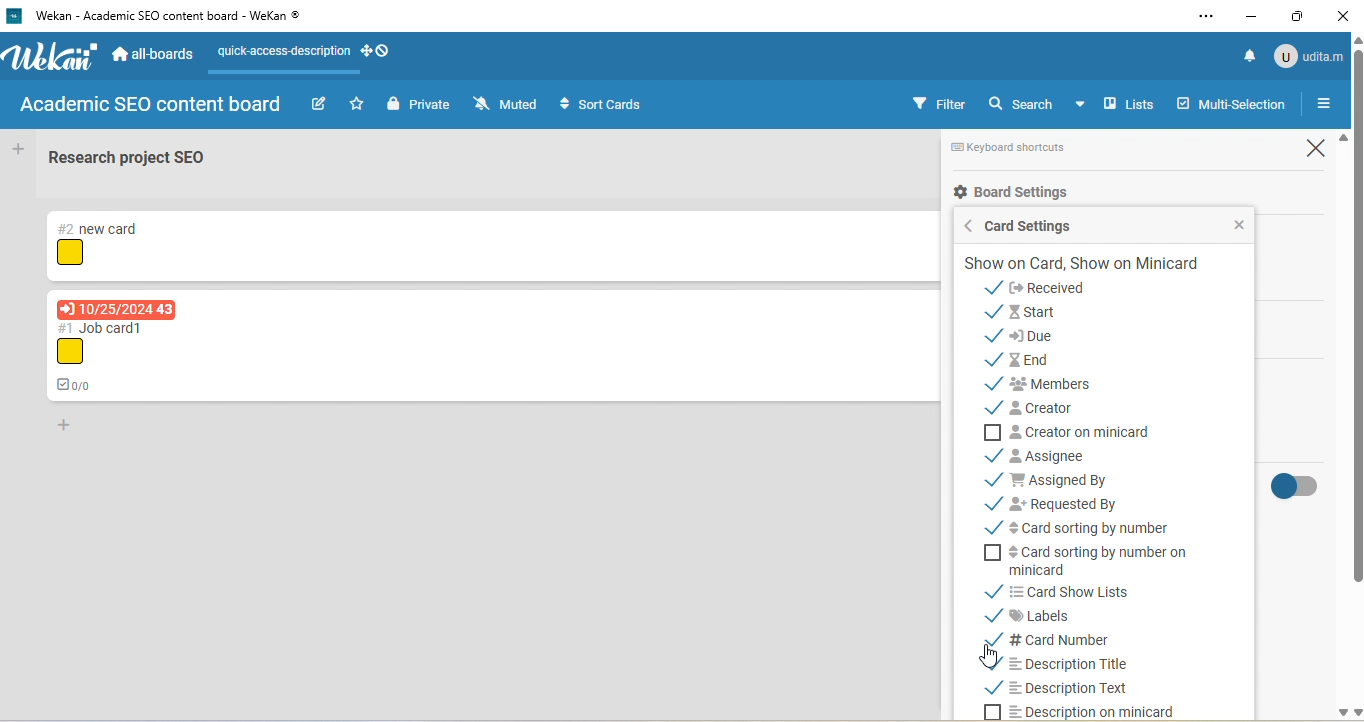 This screenshot has height=722, width=1364. What do you see at coordinates (417, 104) in the screenshot?
I see `private` at bounding box center [417, 104].